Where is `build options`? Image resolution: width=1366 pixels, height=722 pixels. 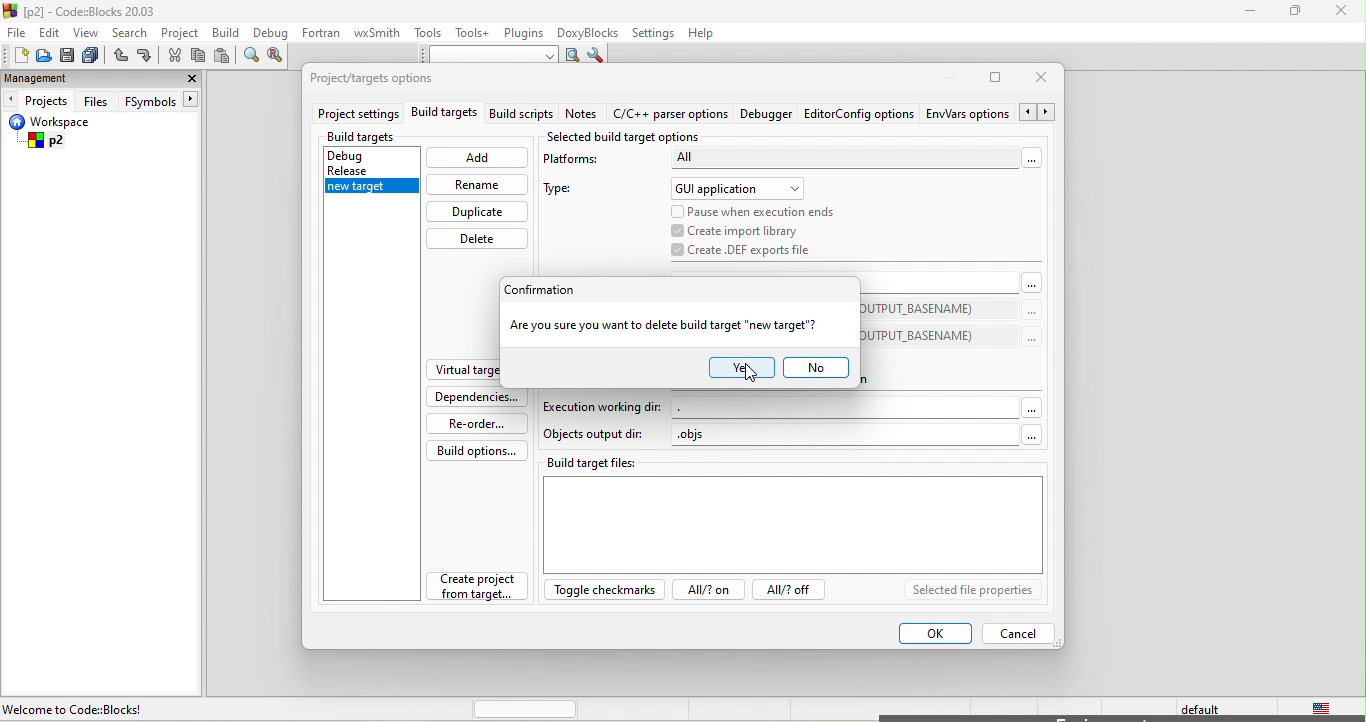
build options is located at coordinates (478, 450).